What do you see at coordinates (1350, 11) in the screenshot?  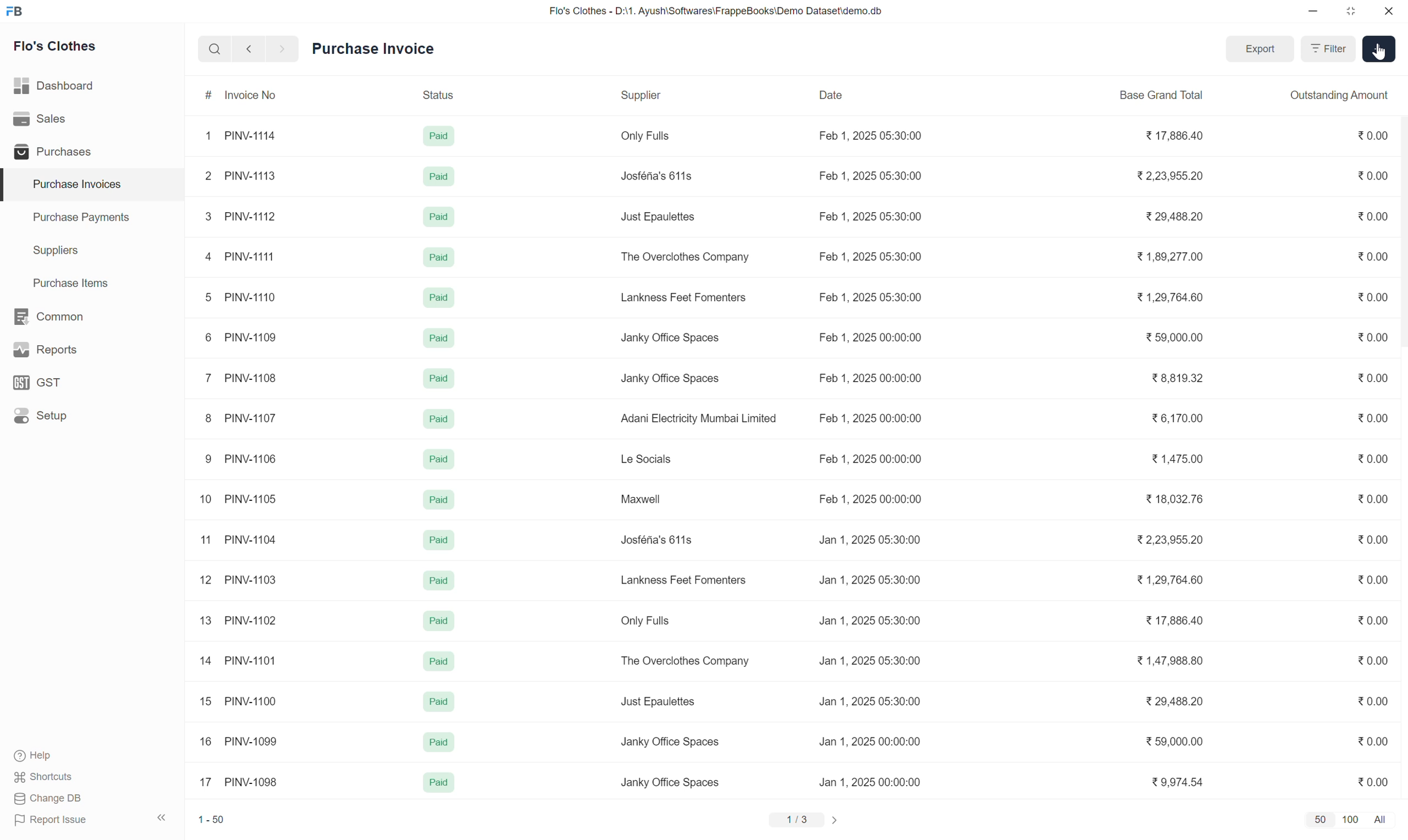 I see `Change dimension` at bounding box center [1350, 11].